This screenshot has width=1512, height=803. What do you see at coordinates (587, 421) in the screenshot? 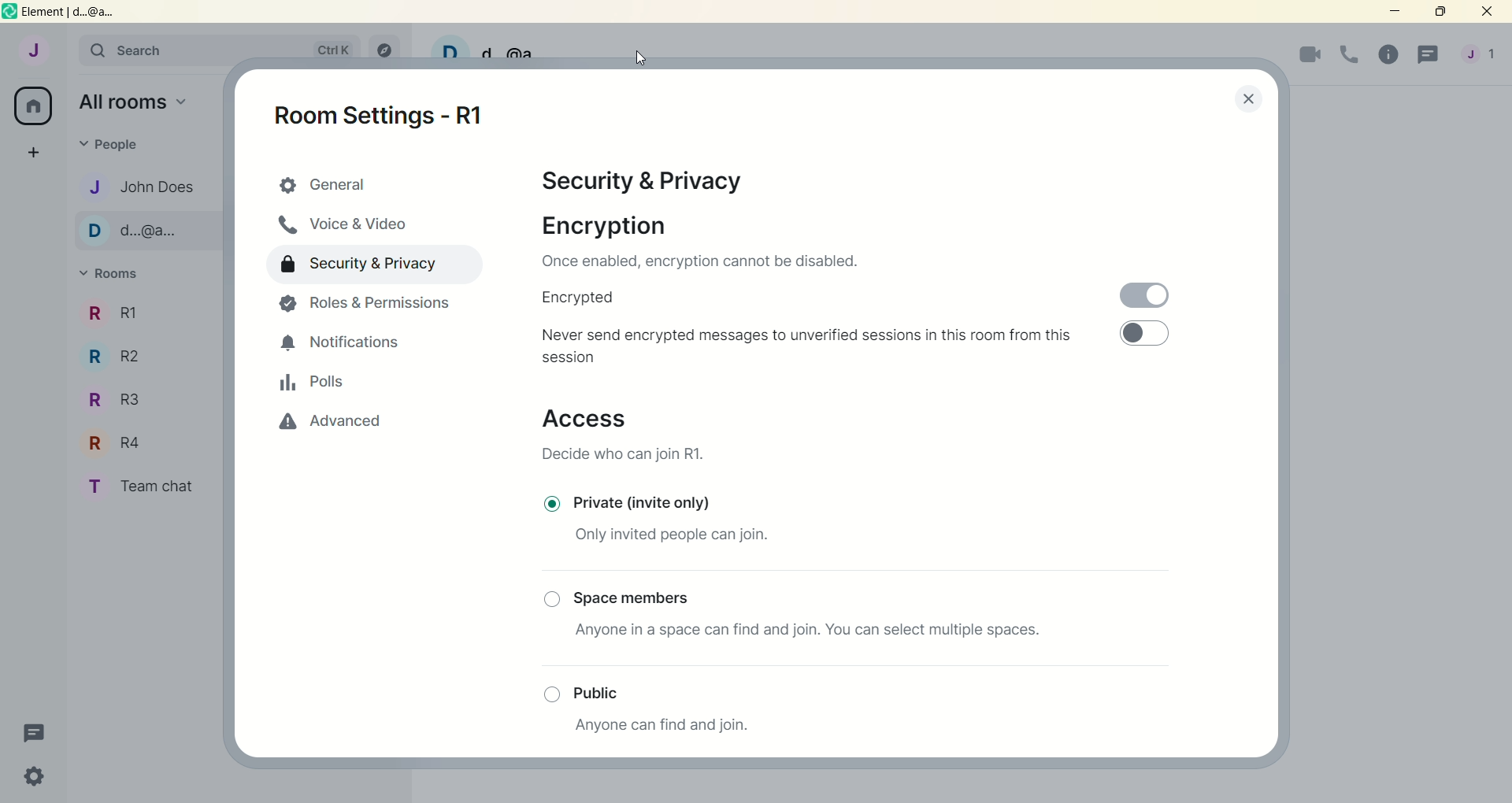
I see `access` at bounding box center [587, 421].